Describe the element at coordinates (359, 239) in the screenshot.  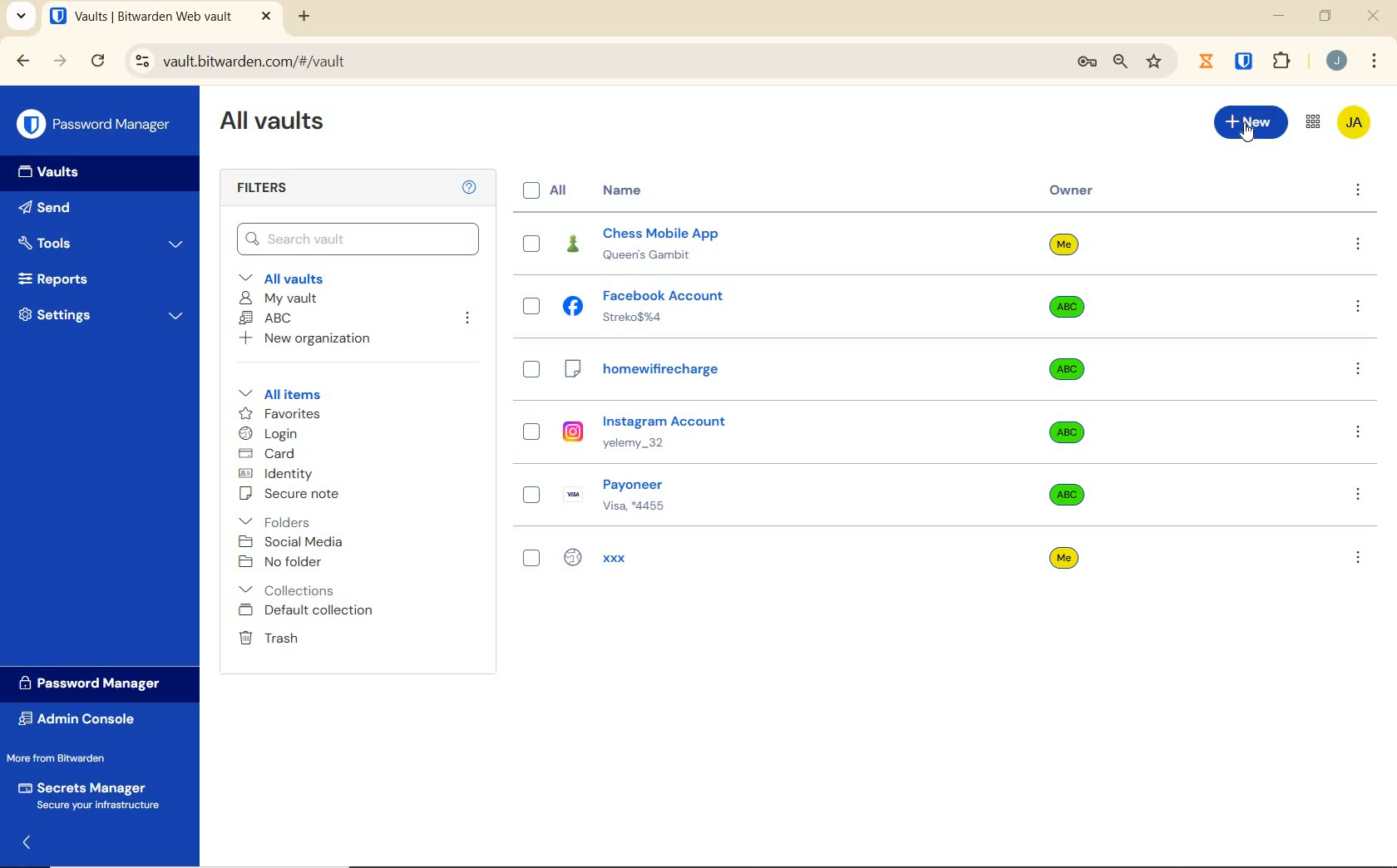
I see `Search Vault` at that location.